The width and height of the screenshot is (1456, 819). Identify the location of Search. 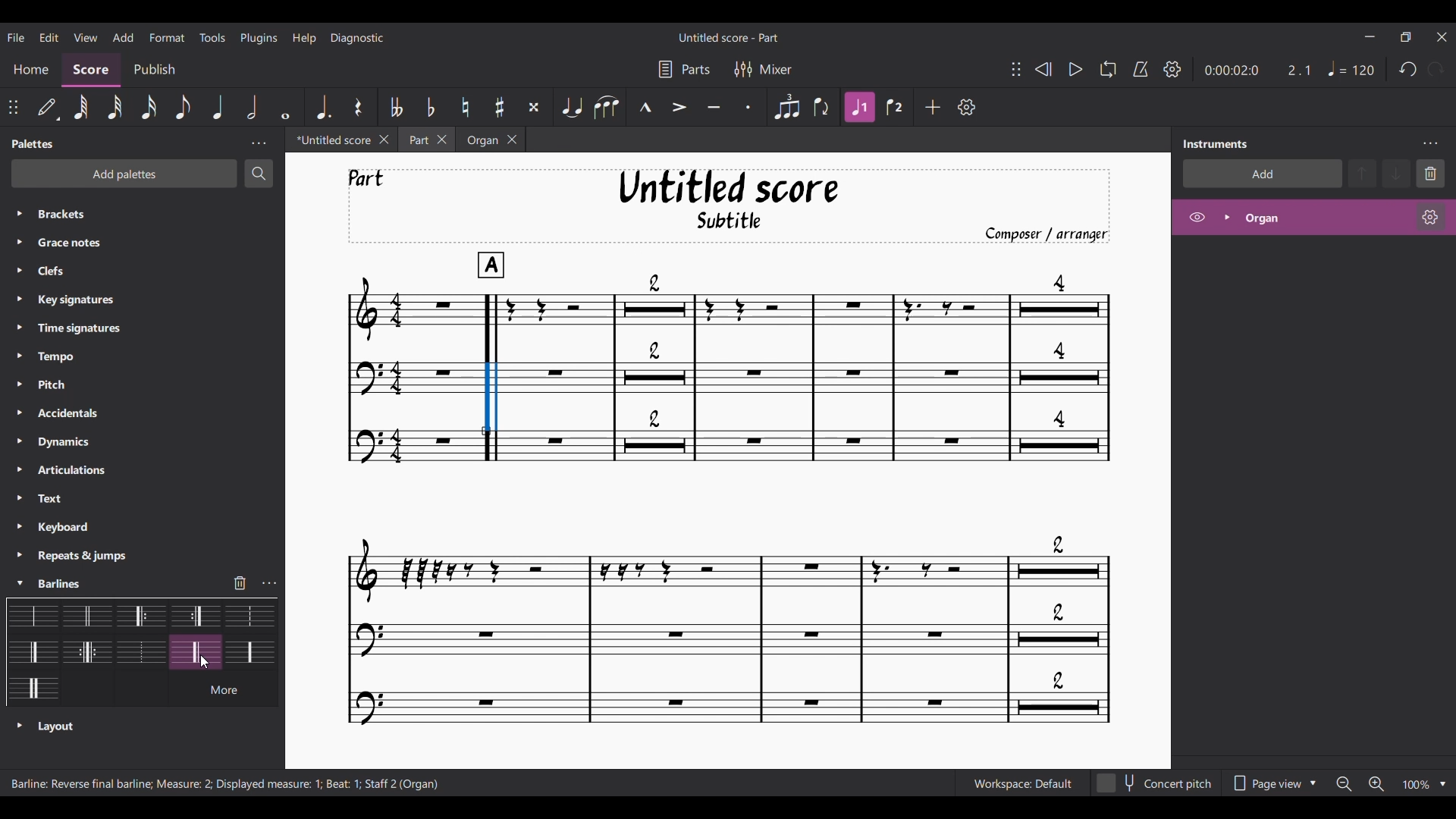
(259, 174).